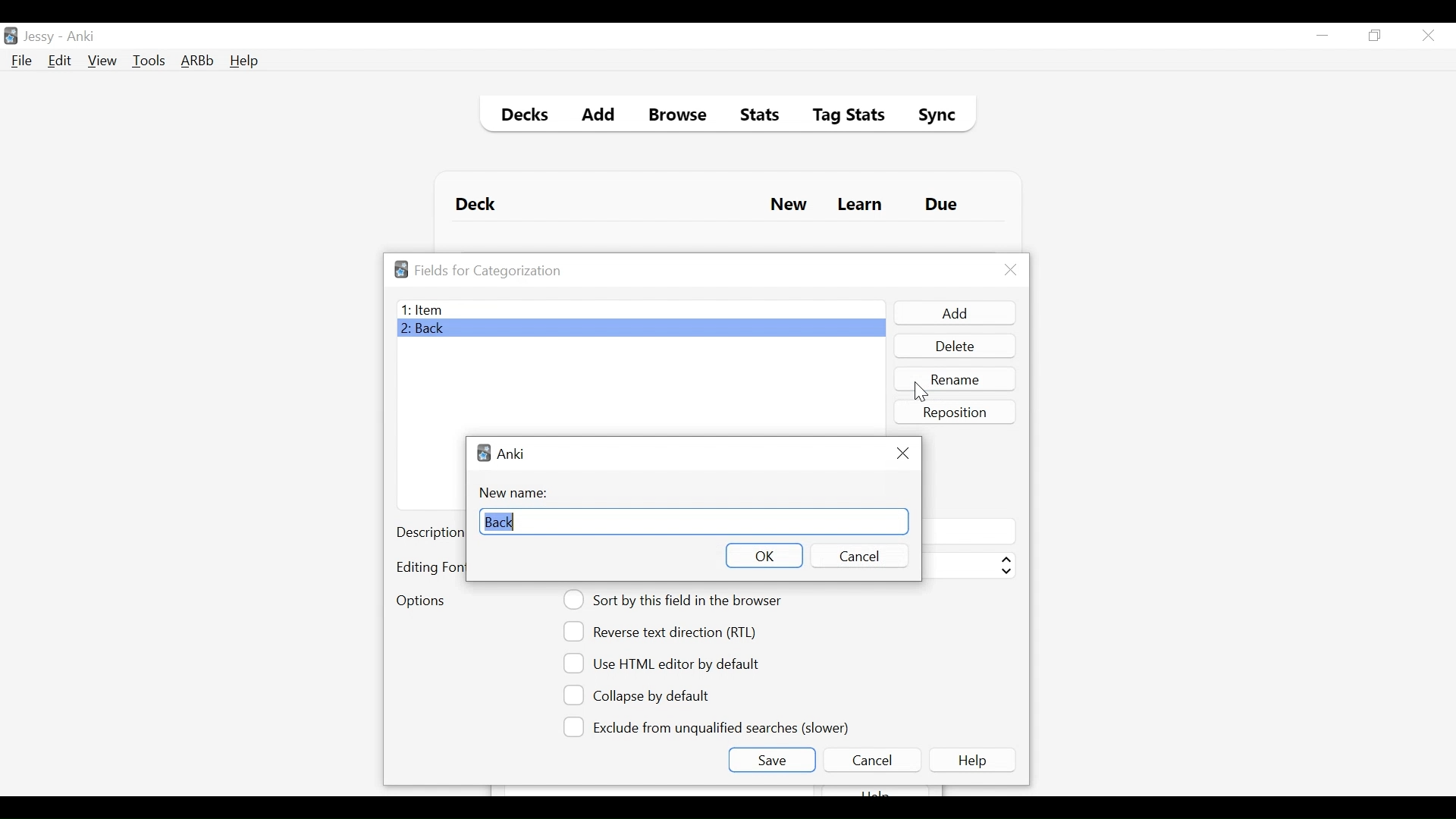 The image size is (1456, 819). Describe the element at coordinates (789, 206) in the screenshot. I see `New` at that location.